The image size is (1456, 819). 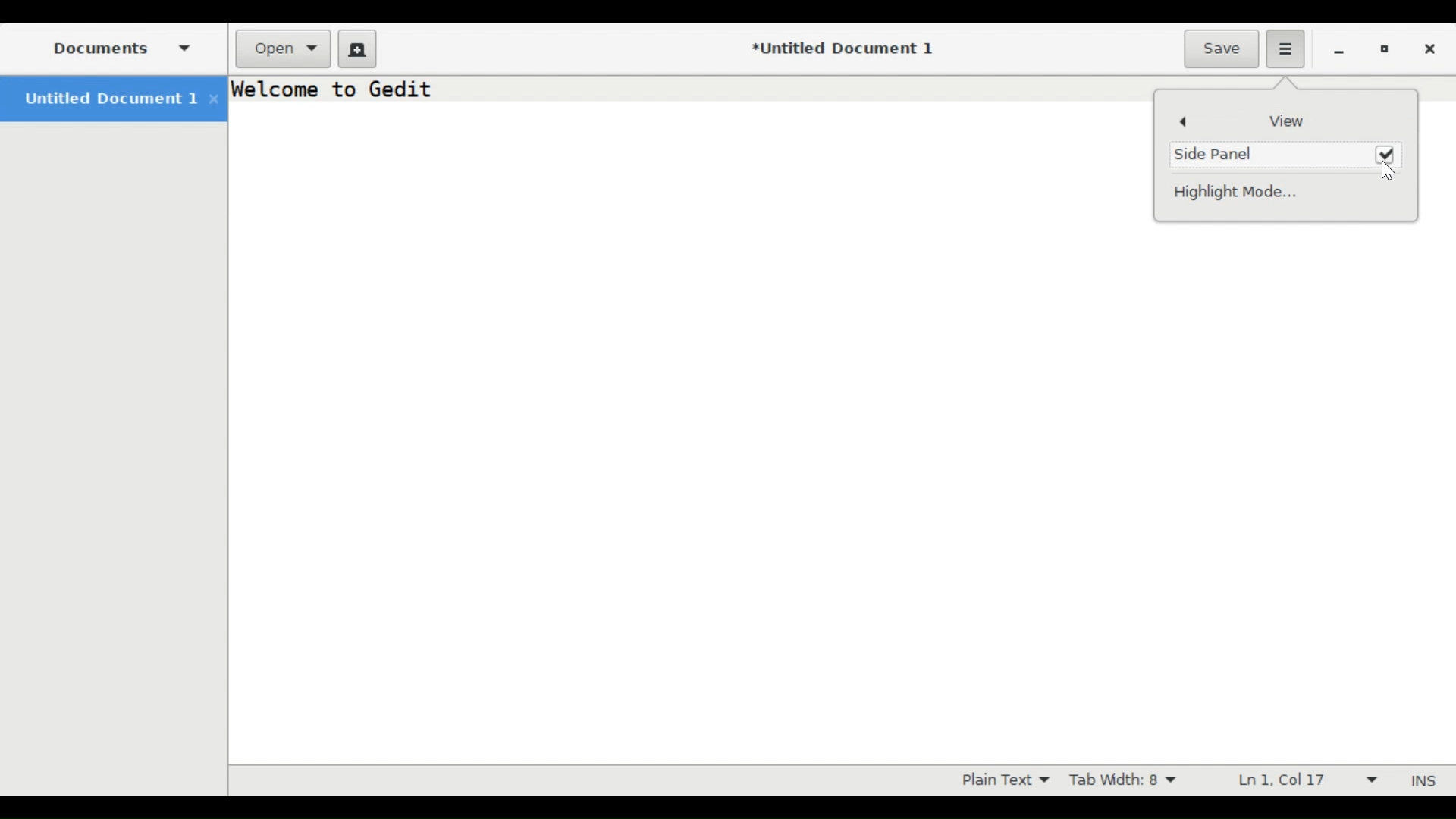 I want to click on Restore, so click(x=1385, y=48).